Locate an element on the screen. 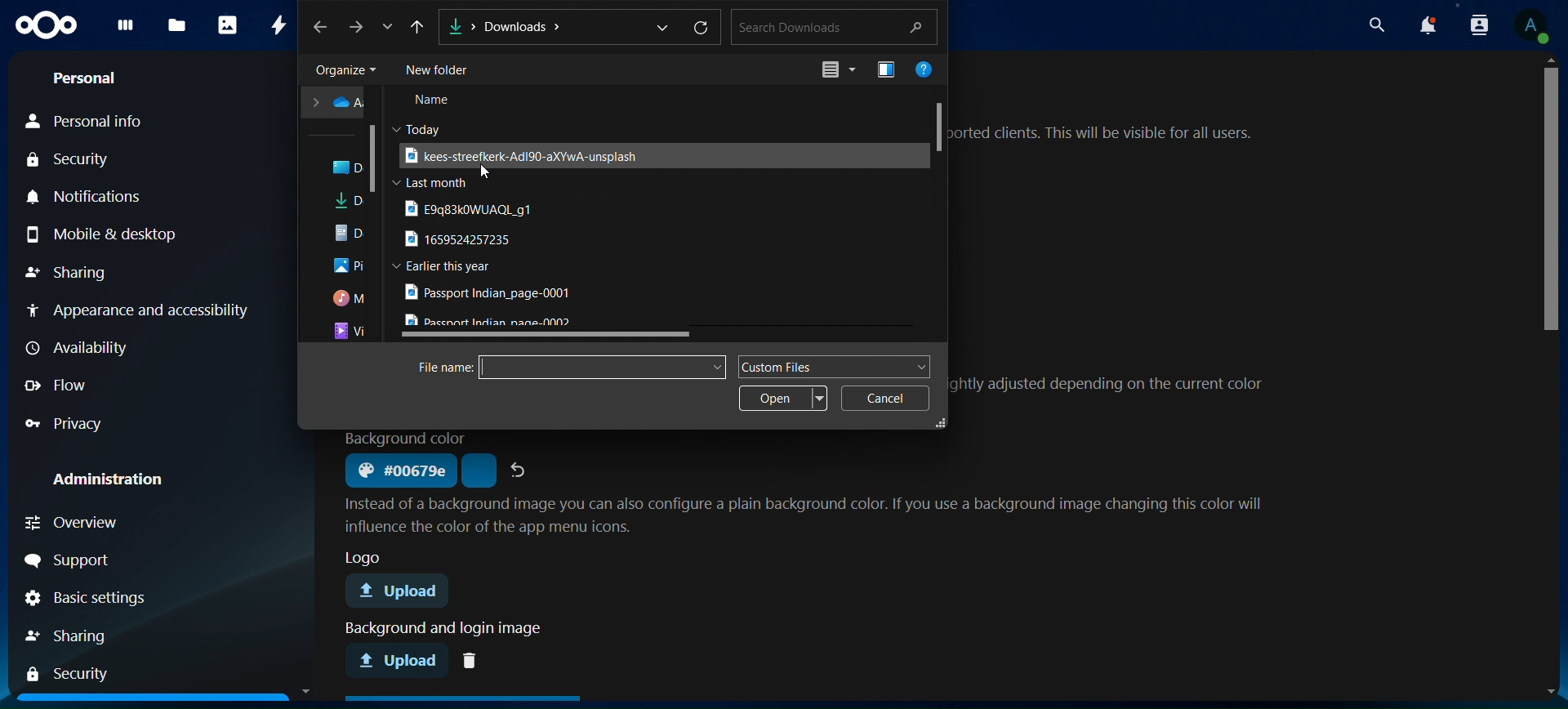  flow is located at coordinates (74, 386).